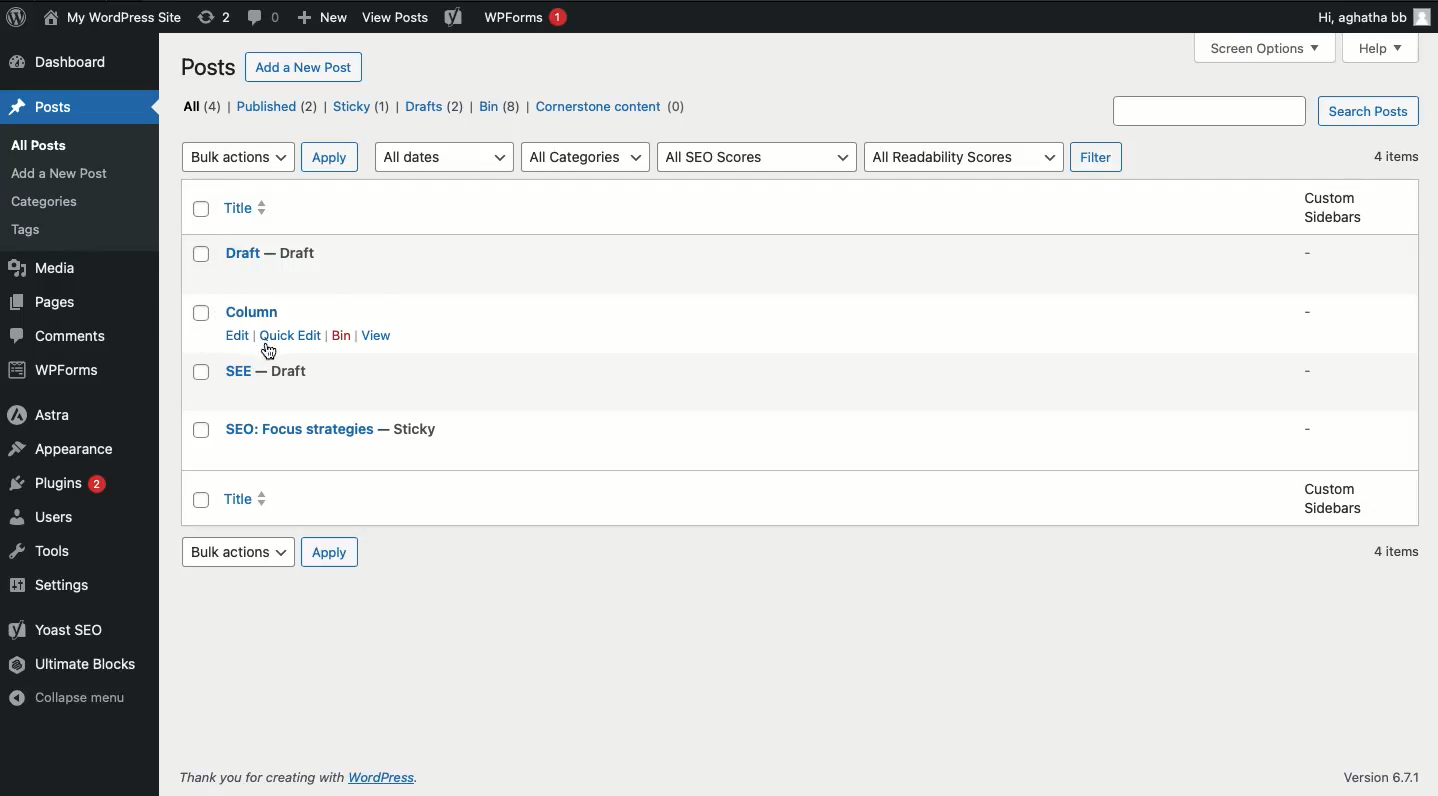 Image resolution: width=1438 pixels, height=796 pixels. What do you see at coordinates (56, 337) in the screenshot?
I see `Comments` at bounding box center [56, 337].